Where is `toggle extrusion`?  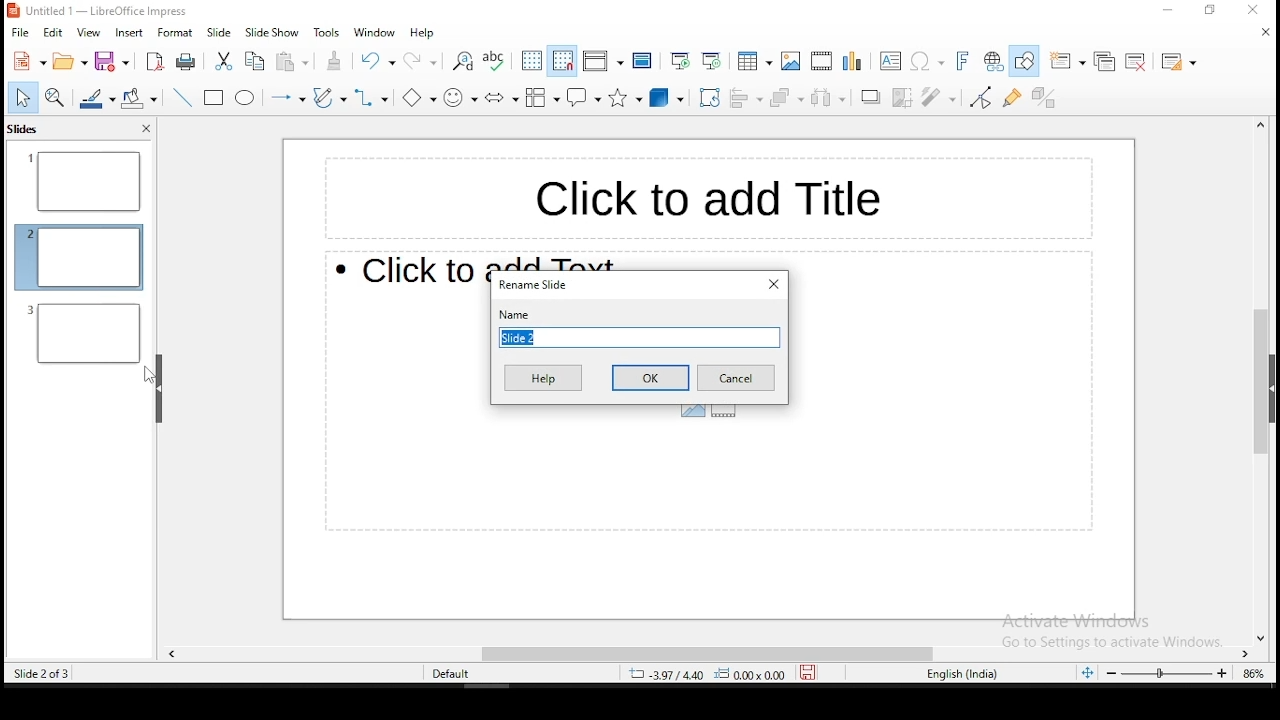 toggle extrusion is located at coordinates (1043, 100).